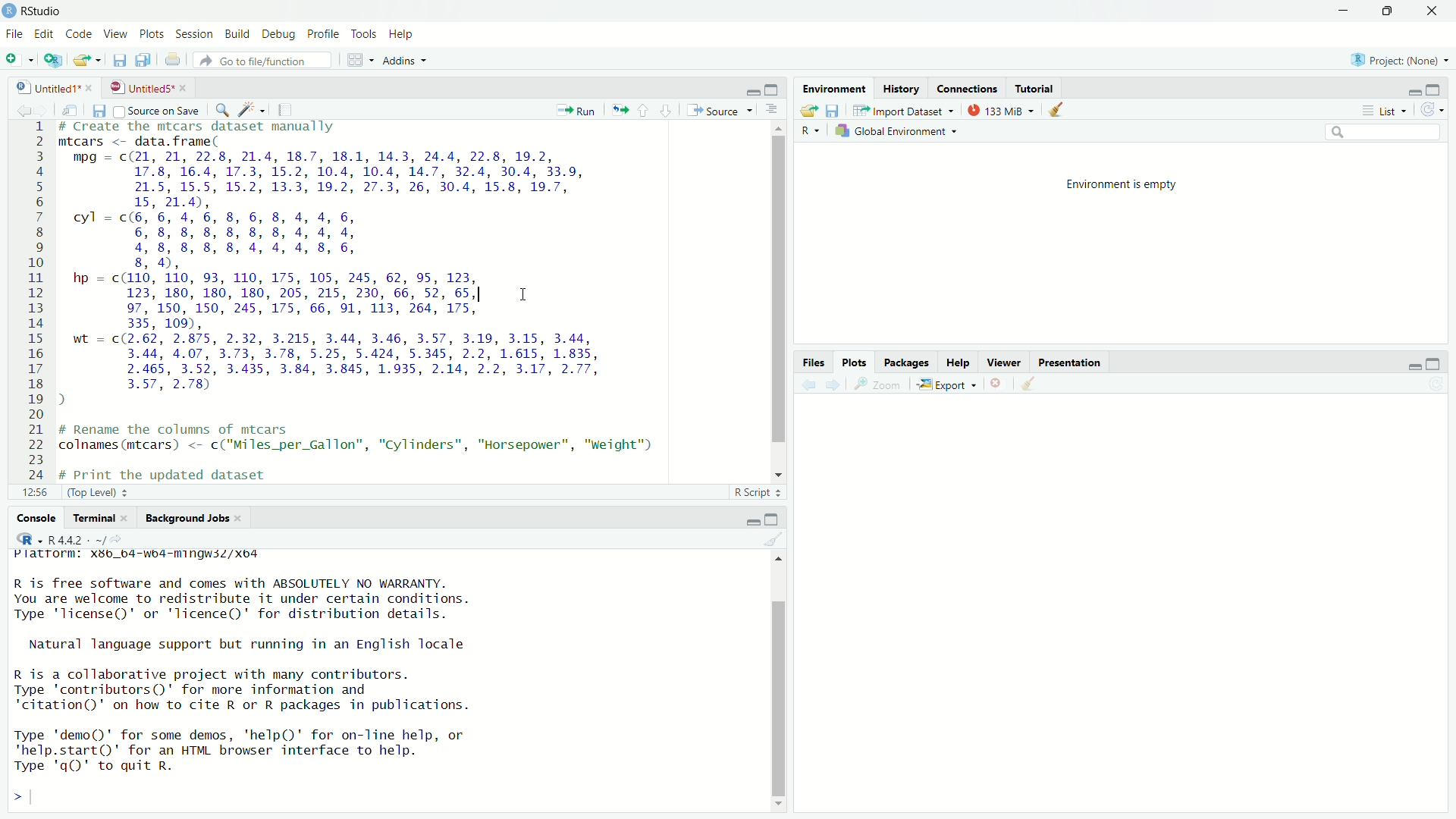 Image resolution: width=1456 pixels, height=819 pixels. I want to click on zoom, so click(880, 385).